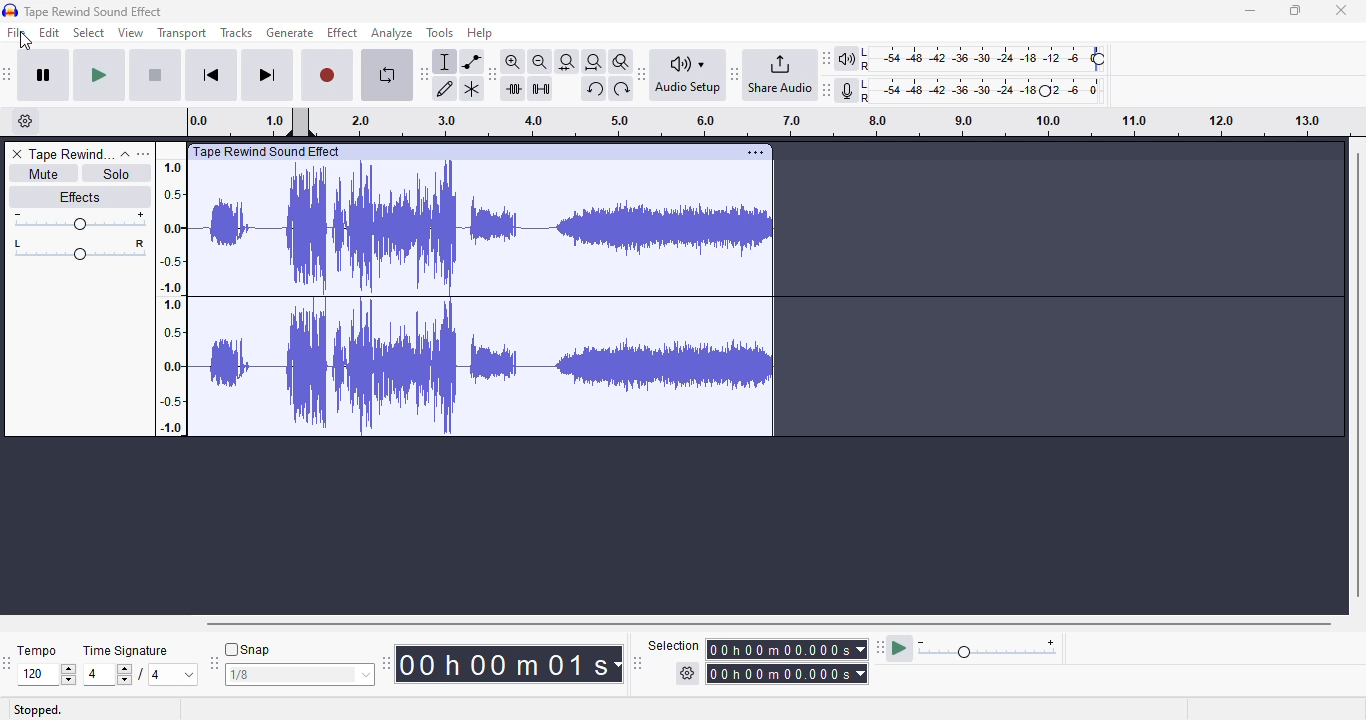 Image resolution: width=1366 pixels, height=720 pixels. What do you see at coordinates (156, 76) in the screenshot?
I see `stop` at bounding box center [156, 76].